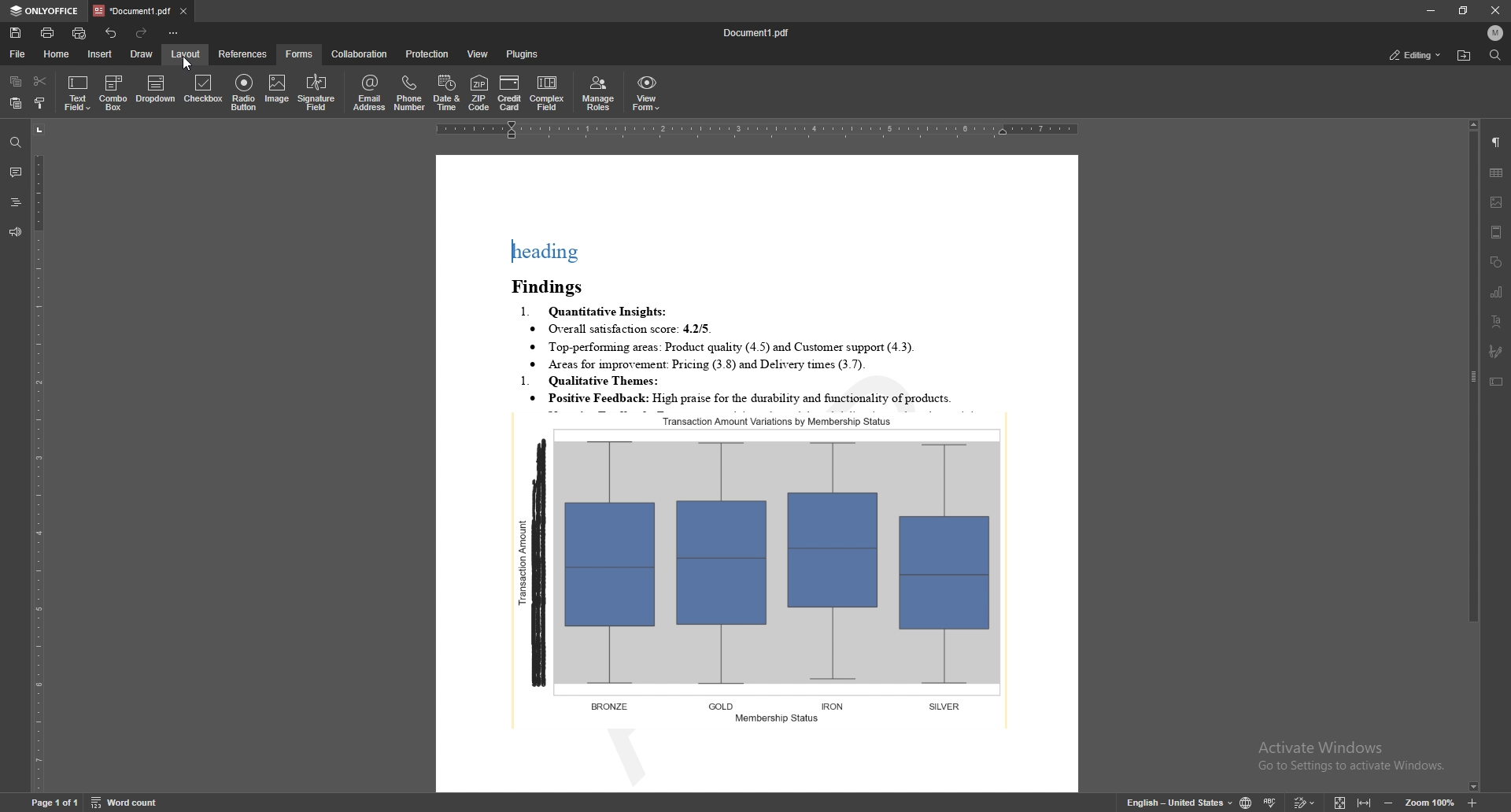 The image size is (1511, 812). I want to click on cursor, so click(186, 62).